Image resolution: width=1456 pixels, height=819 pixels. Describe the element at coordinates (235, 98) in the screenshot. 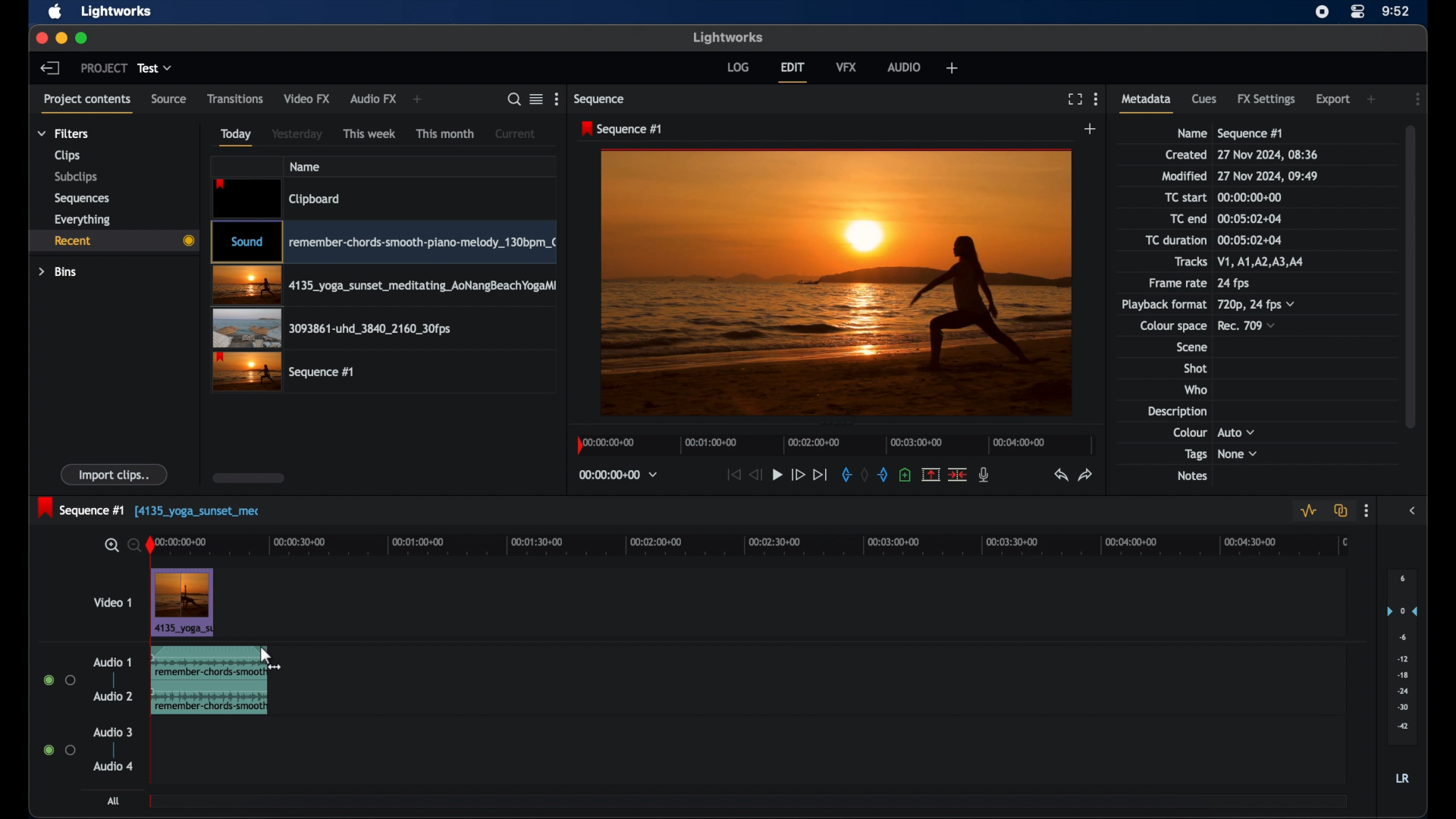

I see `transitions` at that location.